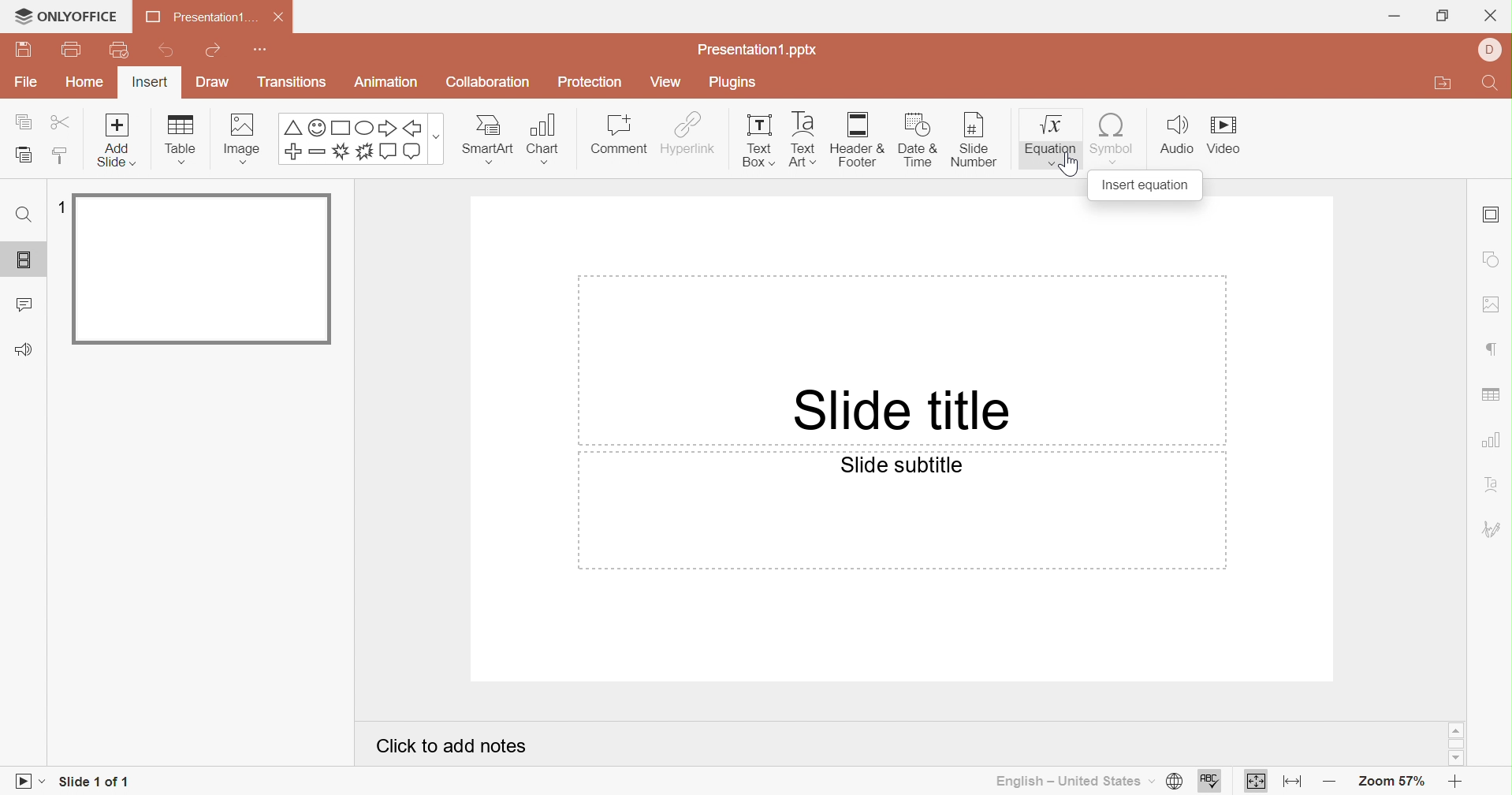 This screenshot has width=1512, height=795. What do you see at coordinates (1489, 443) in the screenshot?
I see `chart settings` at bounding box center [1489, 443].